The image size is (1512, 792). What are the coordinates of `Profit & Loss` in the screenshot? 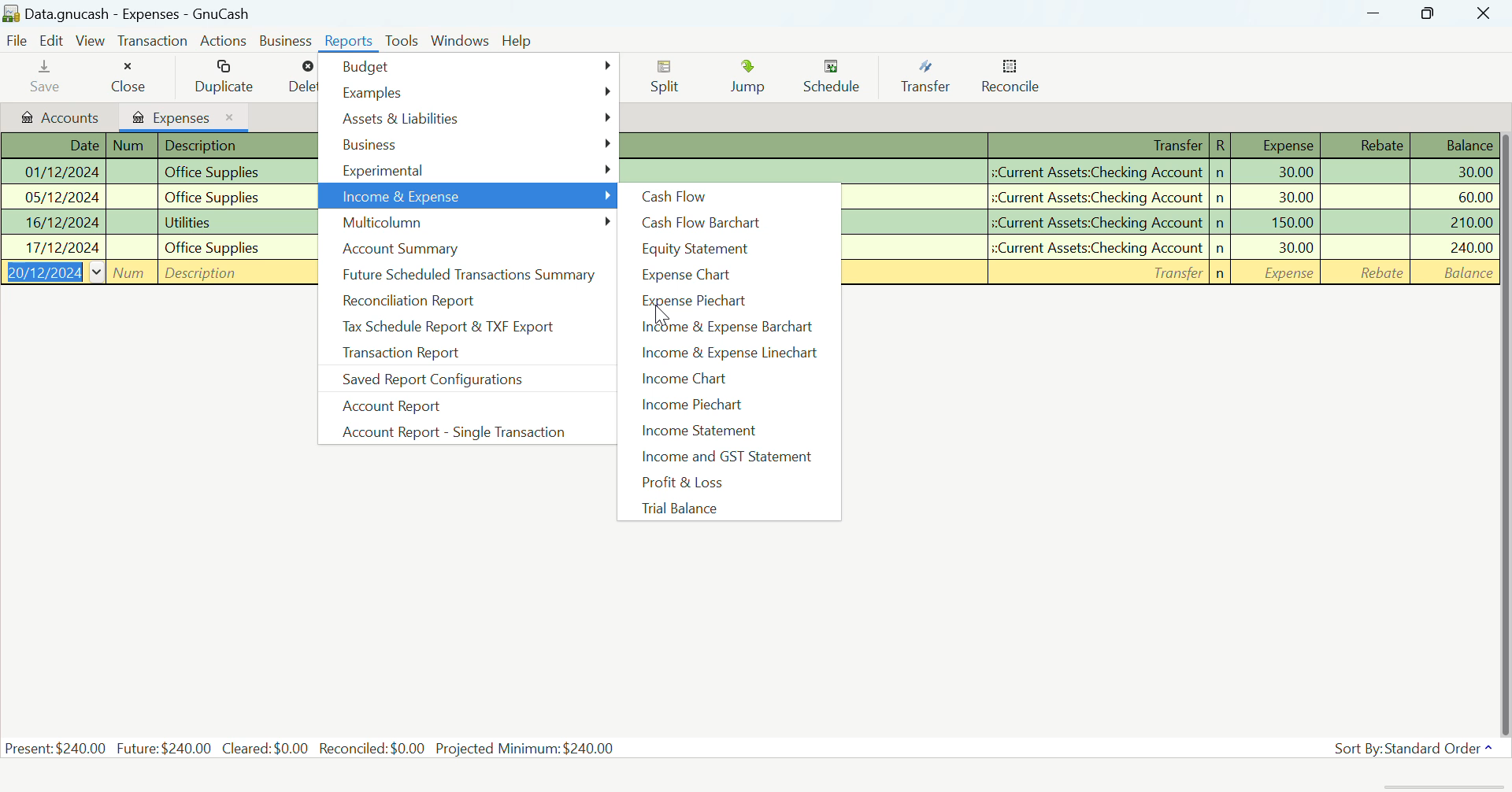 It's located at (728, 482).